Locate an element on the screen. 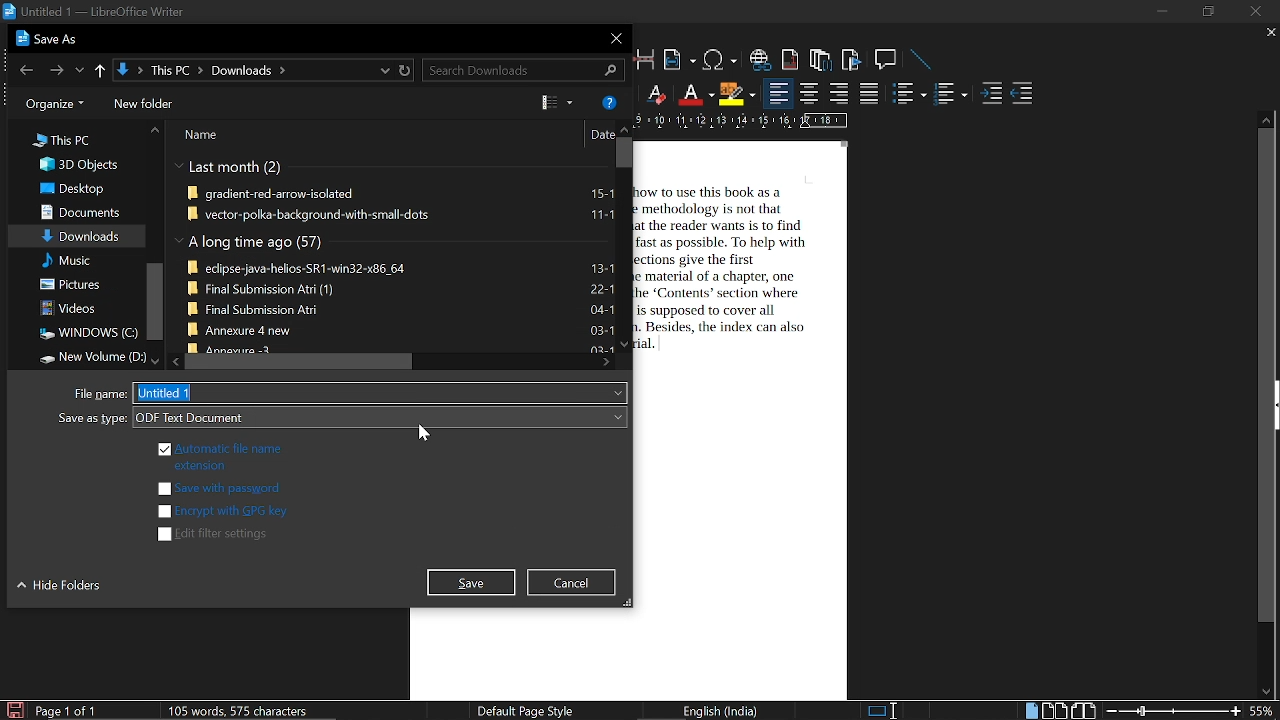 The height and width of the screenshot is (720, 1280). up to "this pc" is located at coordinates (100, 68).